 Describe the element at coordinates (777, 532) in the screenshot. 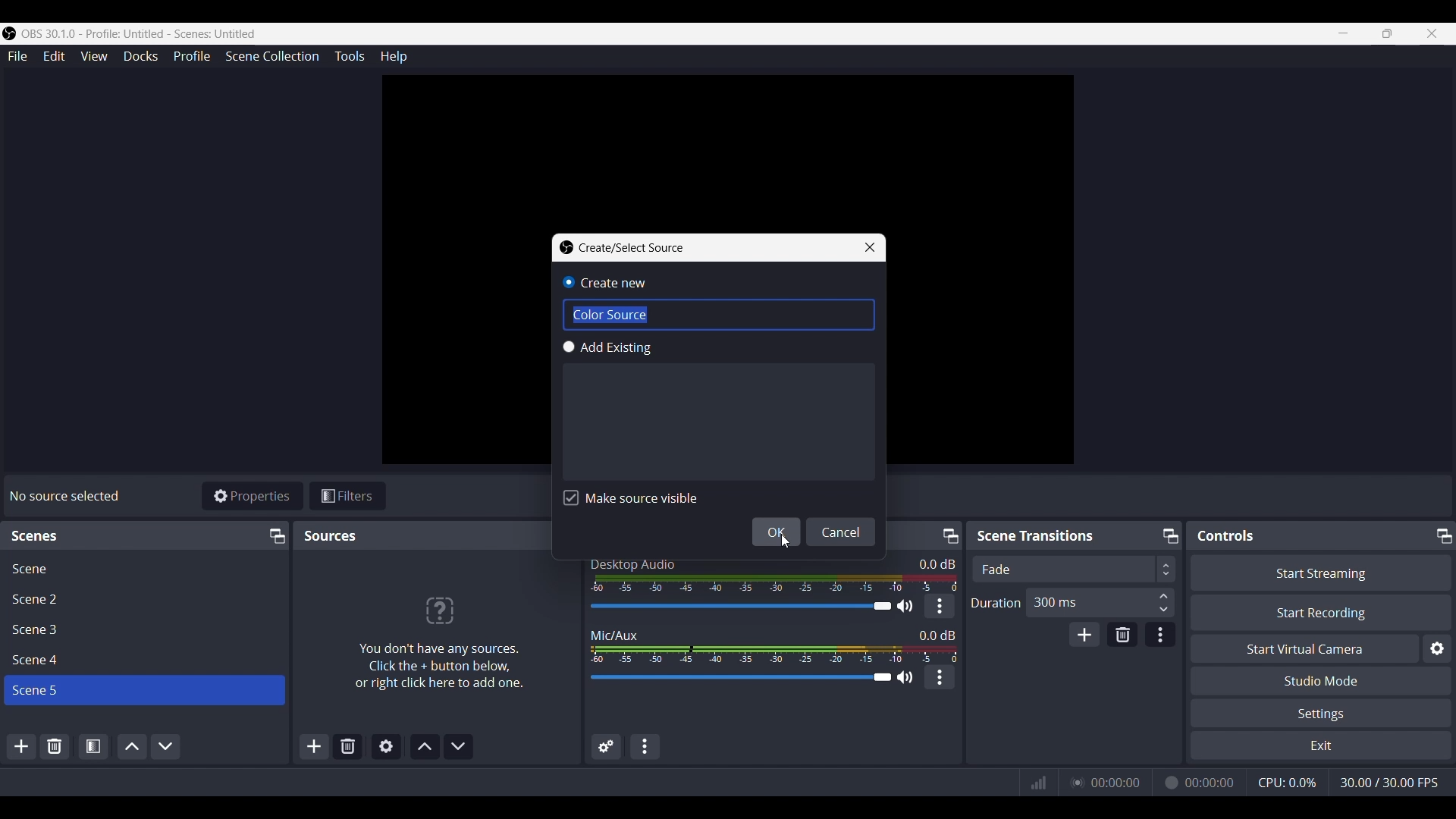

I see `OK` at that location.